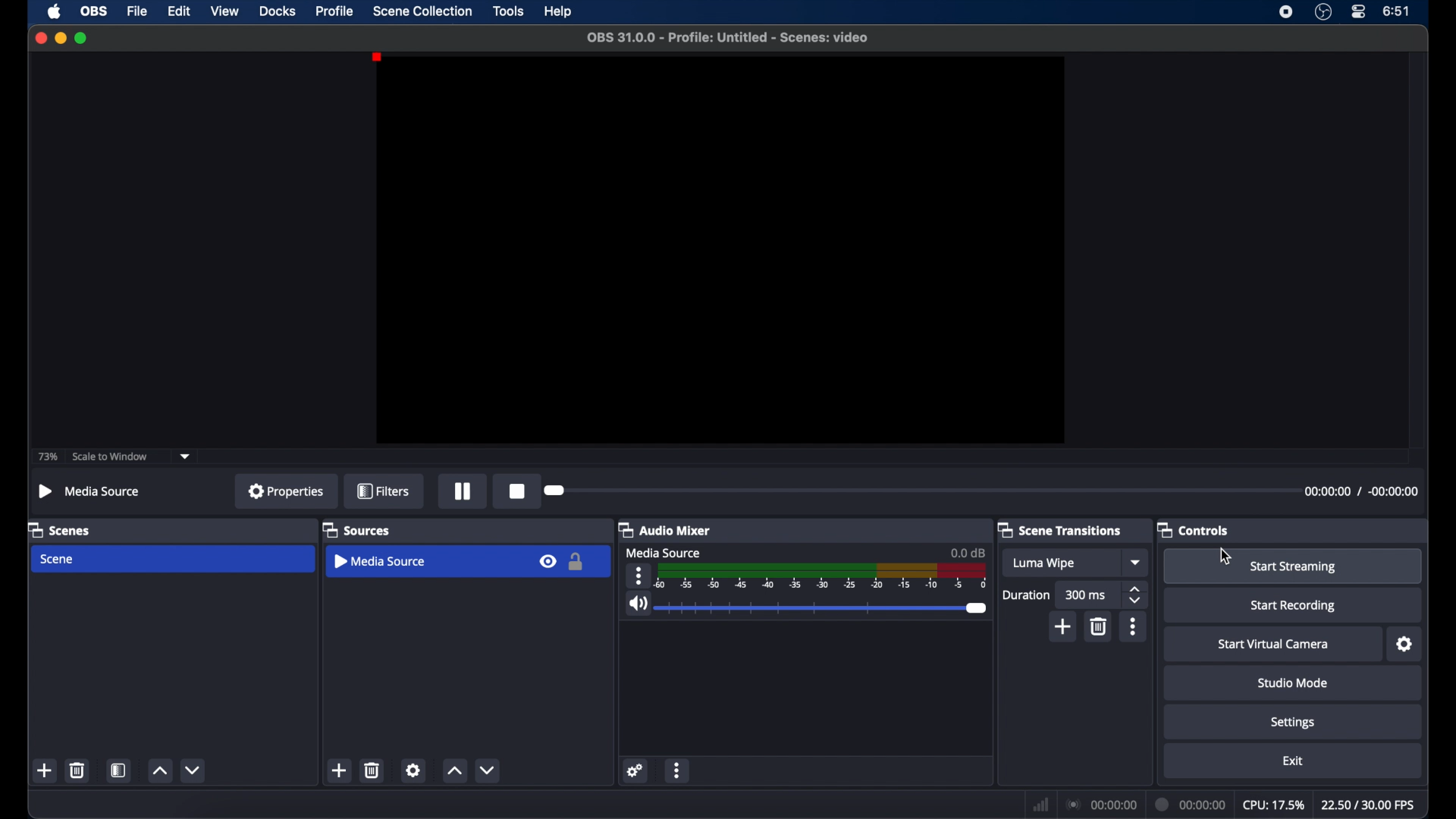 This screenshot has width=1456, height=819. Describe the element at coordinates (560, 12) in the screenshot. I see `help` at that location.